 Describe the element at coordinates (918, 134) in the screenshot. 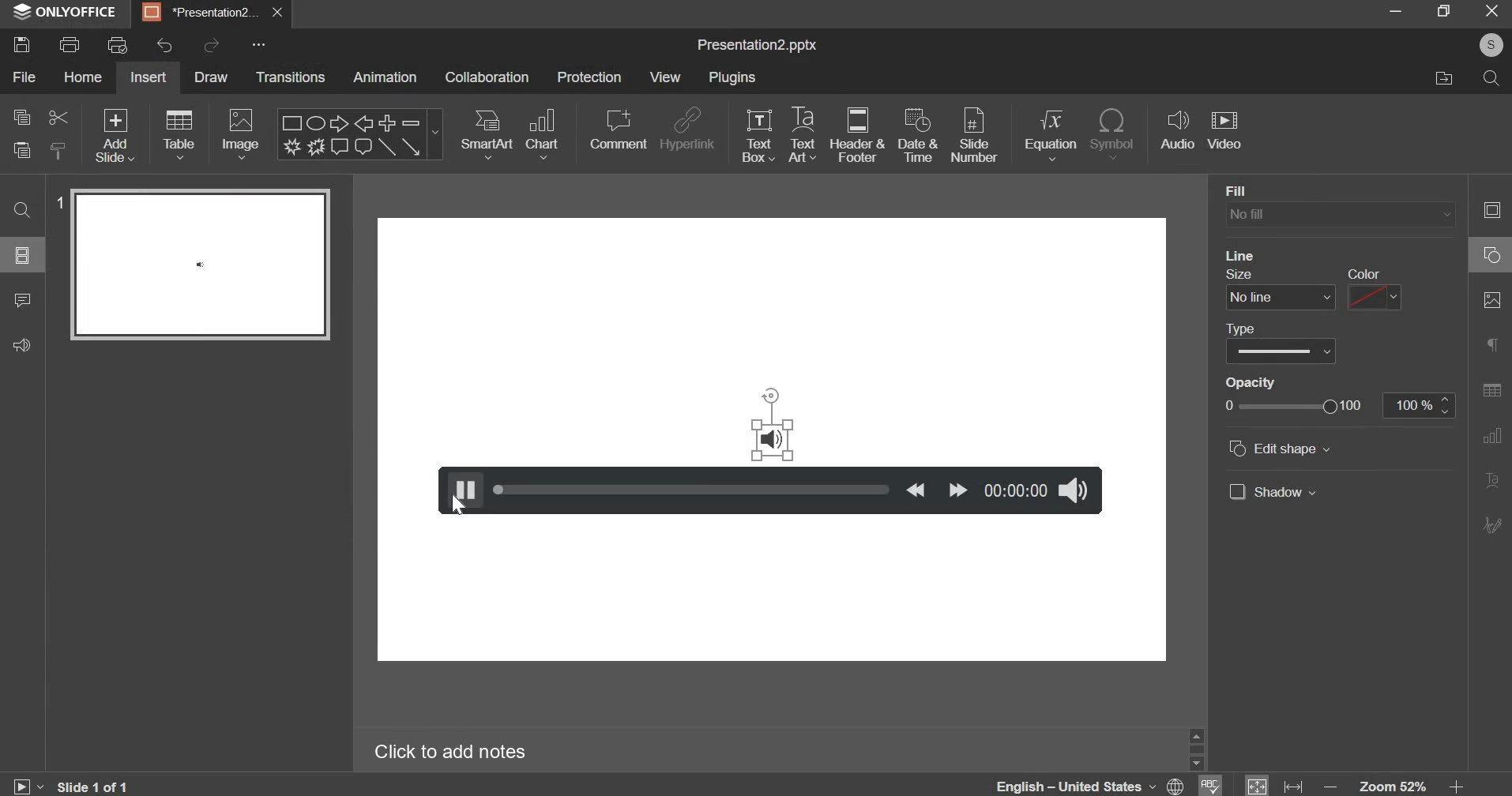

I see `date & time` at that location.